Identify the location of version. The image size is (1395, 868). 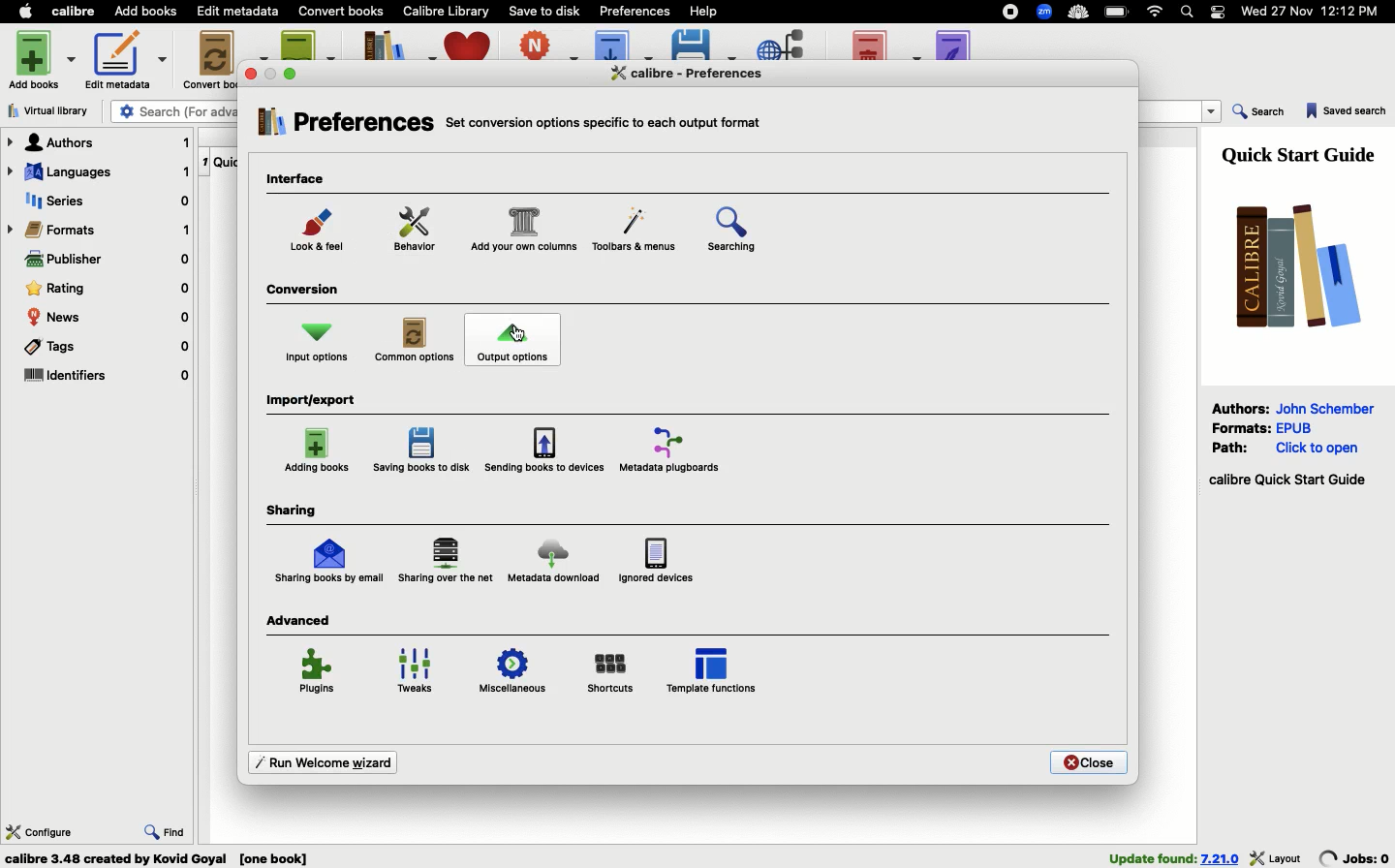
(1221, 858).